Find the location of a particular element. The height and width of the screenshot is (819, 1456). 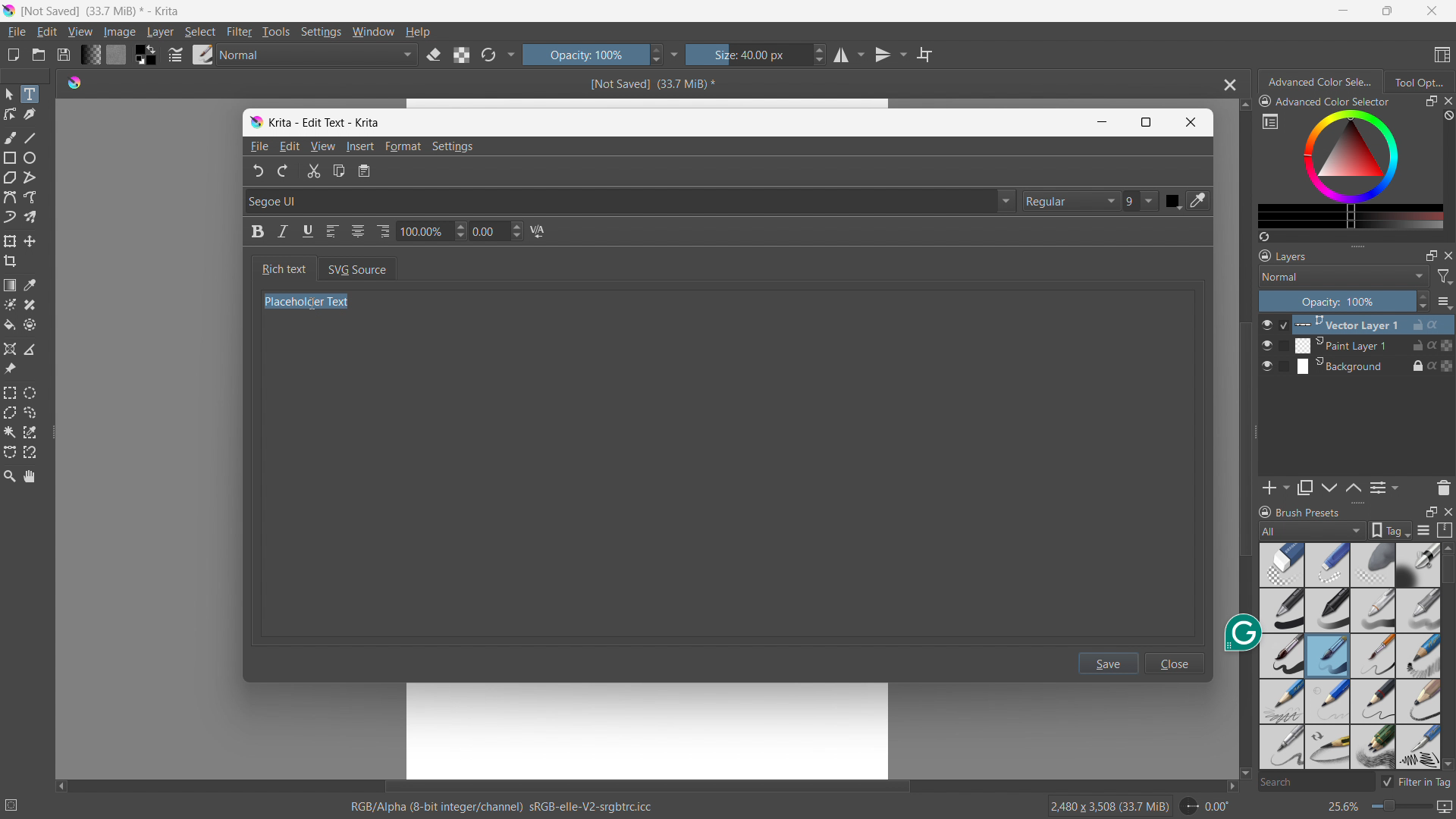

maximize is located at coordinates (1431, 255).